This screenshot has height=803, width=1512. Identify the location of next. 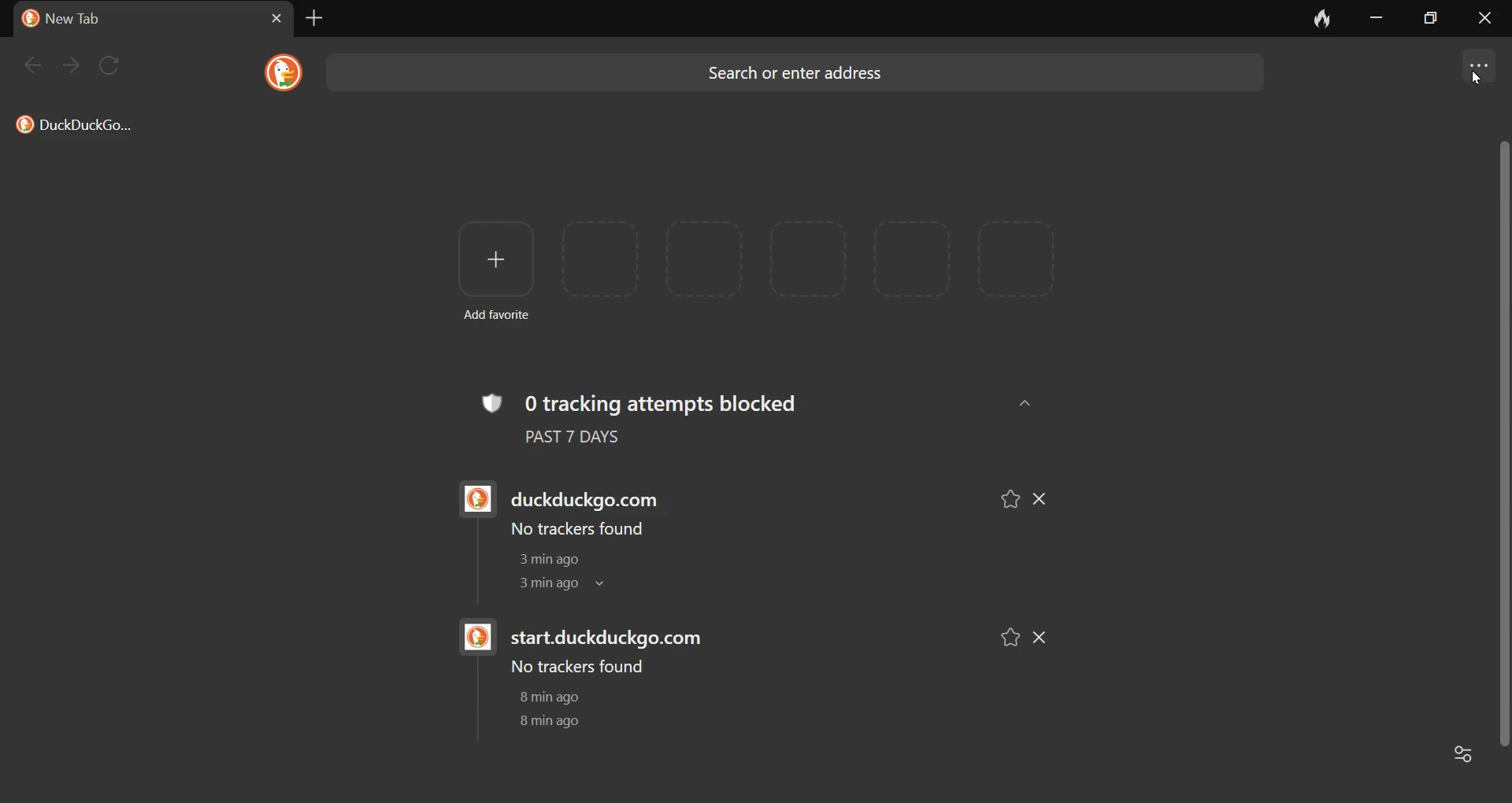
(72, 66).